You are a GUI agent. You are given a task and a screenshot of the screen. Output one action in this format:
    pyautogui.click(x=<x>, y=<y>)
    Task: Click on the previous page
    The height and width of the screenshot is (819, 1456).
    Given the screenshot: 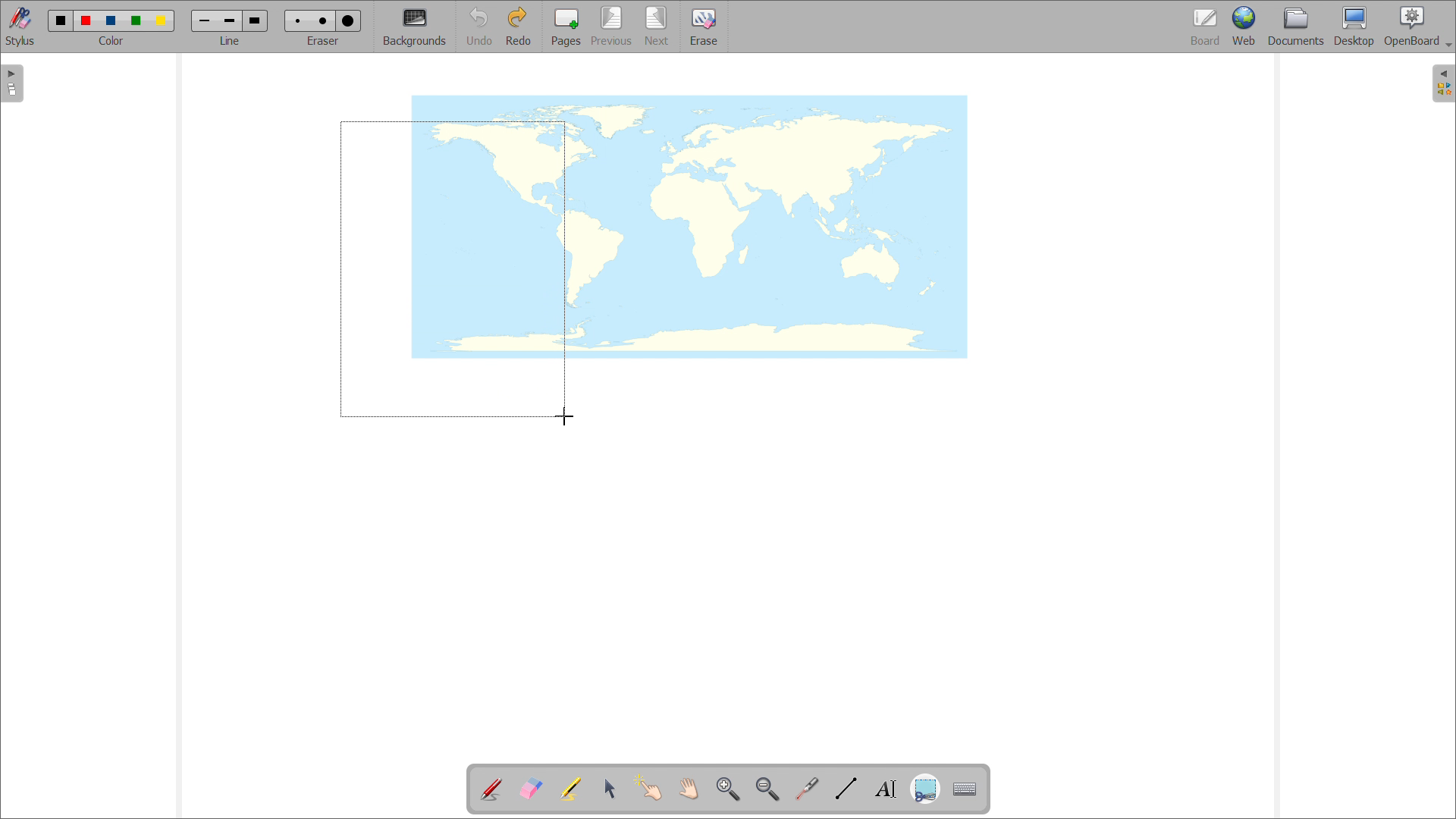 What is the action you would take?
    pyautogui.click(x=611, y=26)
    